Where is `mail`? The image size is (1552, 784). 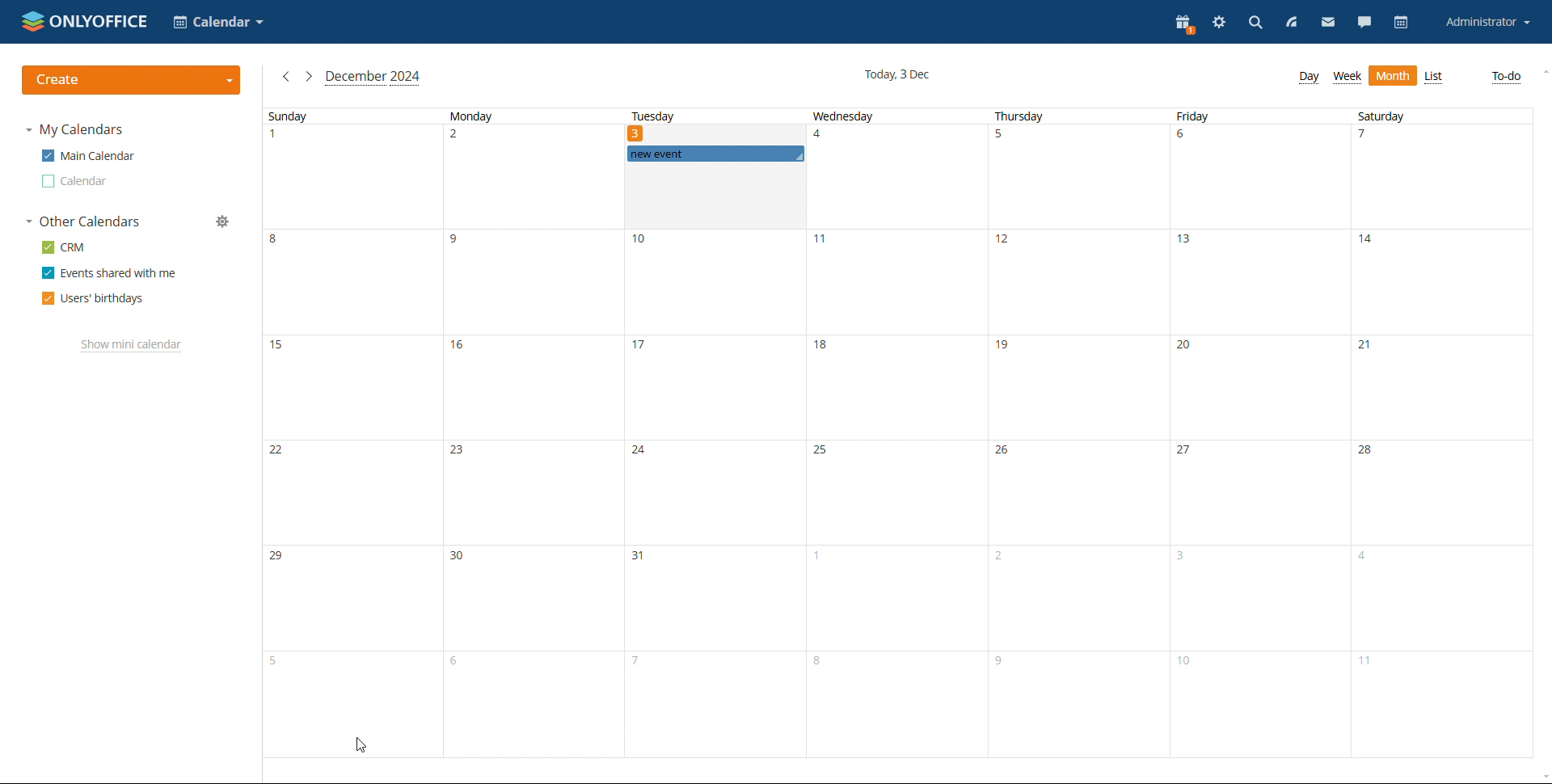
mail is located at coordinates (1327, 23).